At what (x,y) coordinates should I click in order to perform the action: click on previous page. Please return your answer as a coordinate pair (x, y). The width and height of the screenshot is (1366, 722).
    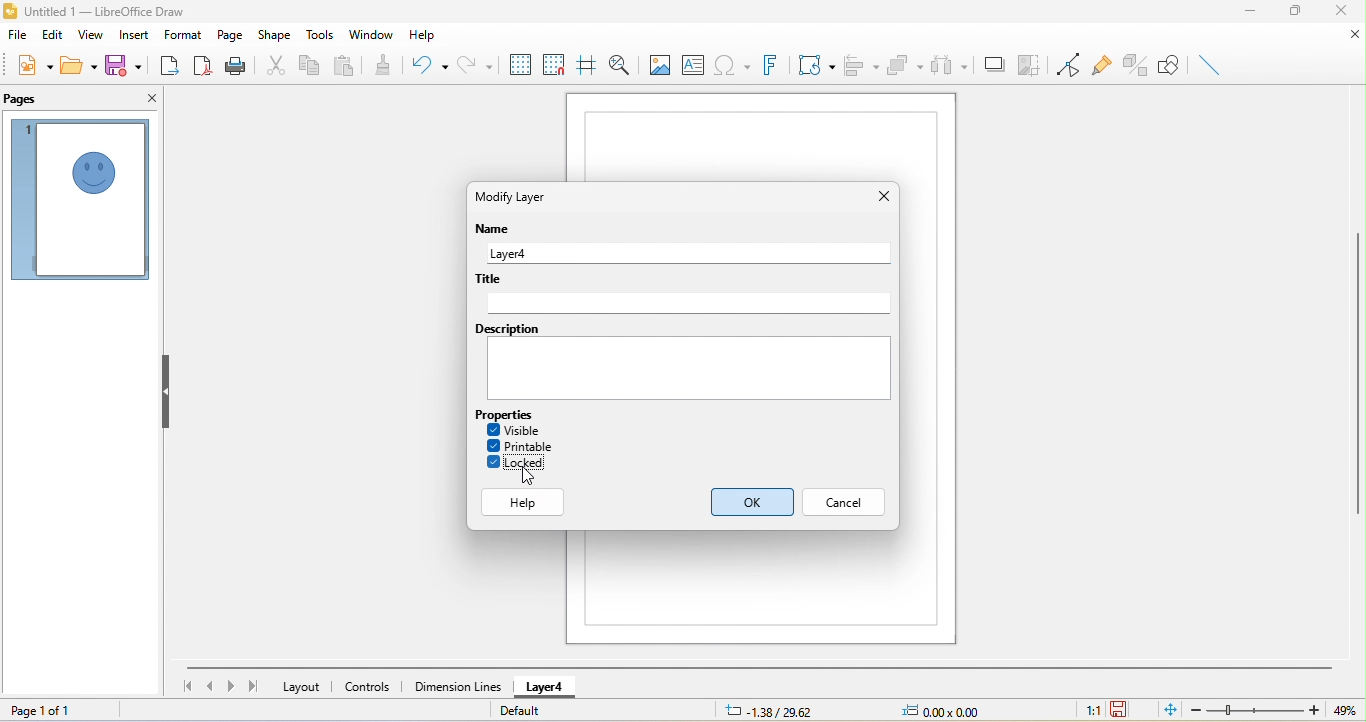
    Looking at the image, I should click on (209, 686).